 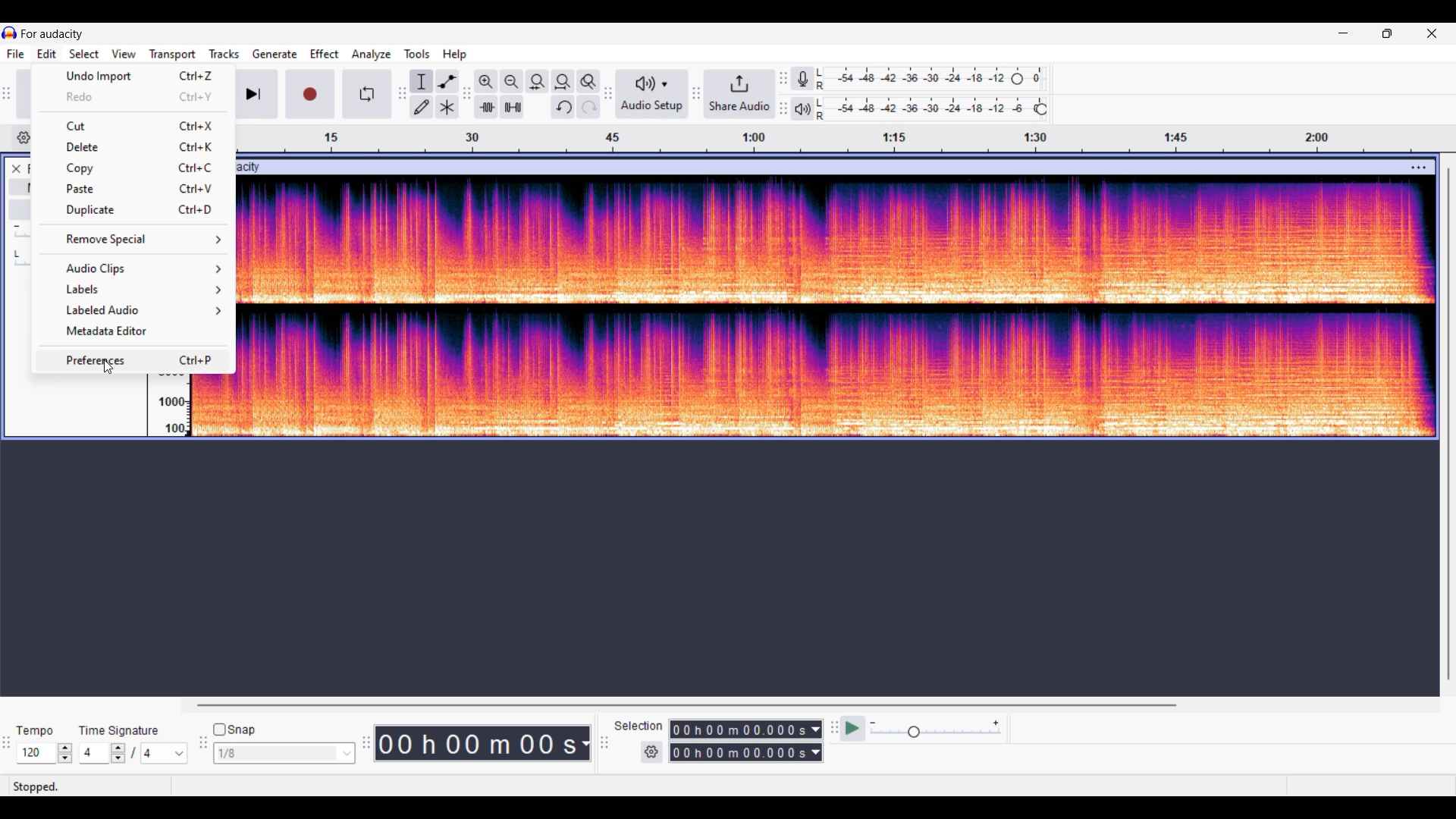 What do you see at coordinates (119, 731) in the screenshot?
I see `Indicates time signature settings ` at bounding box center [119, 731].